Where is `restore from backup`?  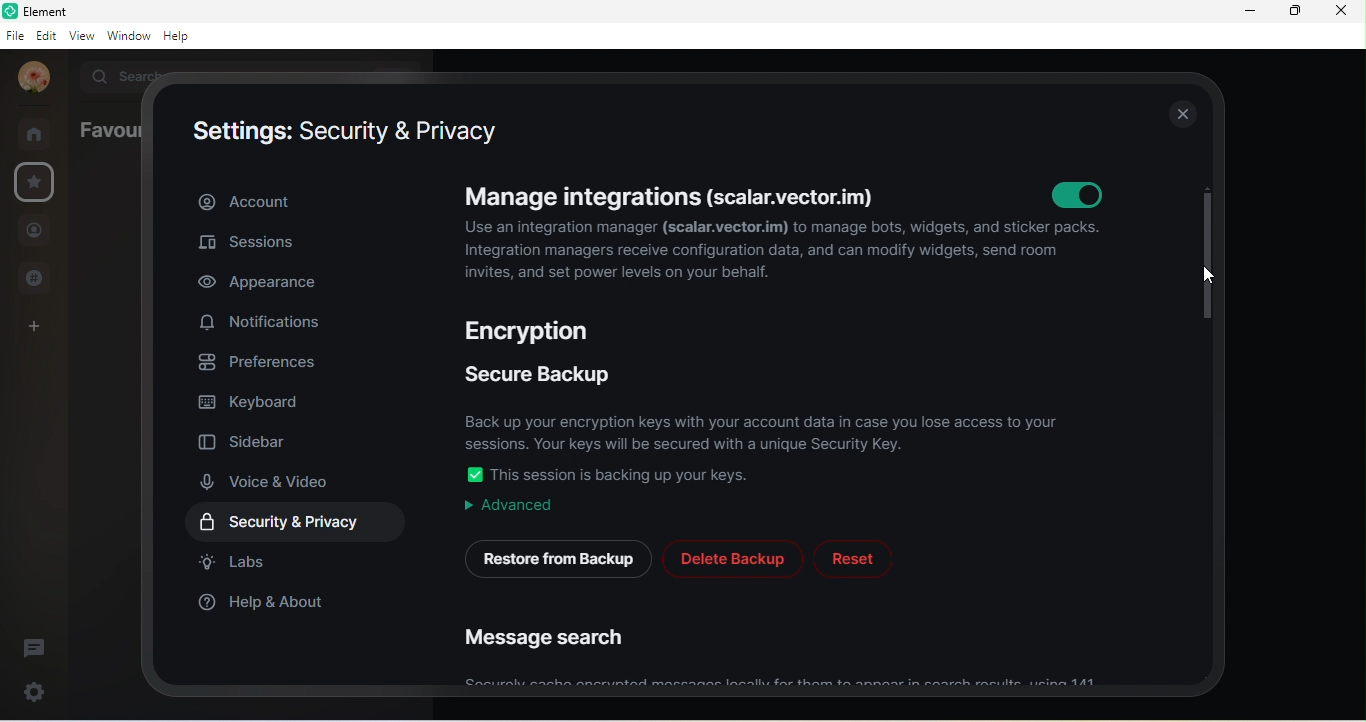 restore from backup is located at coordinates (555, 558).